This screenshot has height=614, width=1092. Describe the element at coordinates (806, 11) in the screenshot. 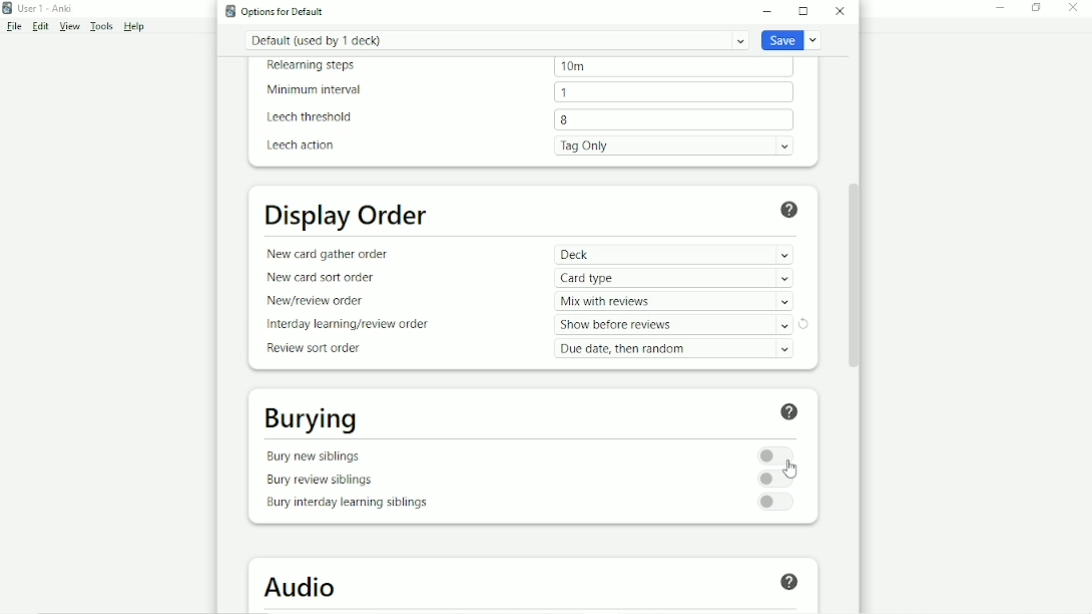

I see `Maximize` at that location.